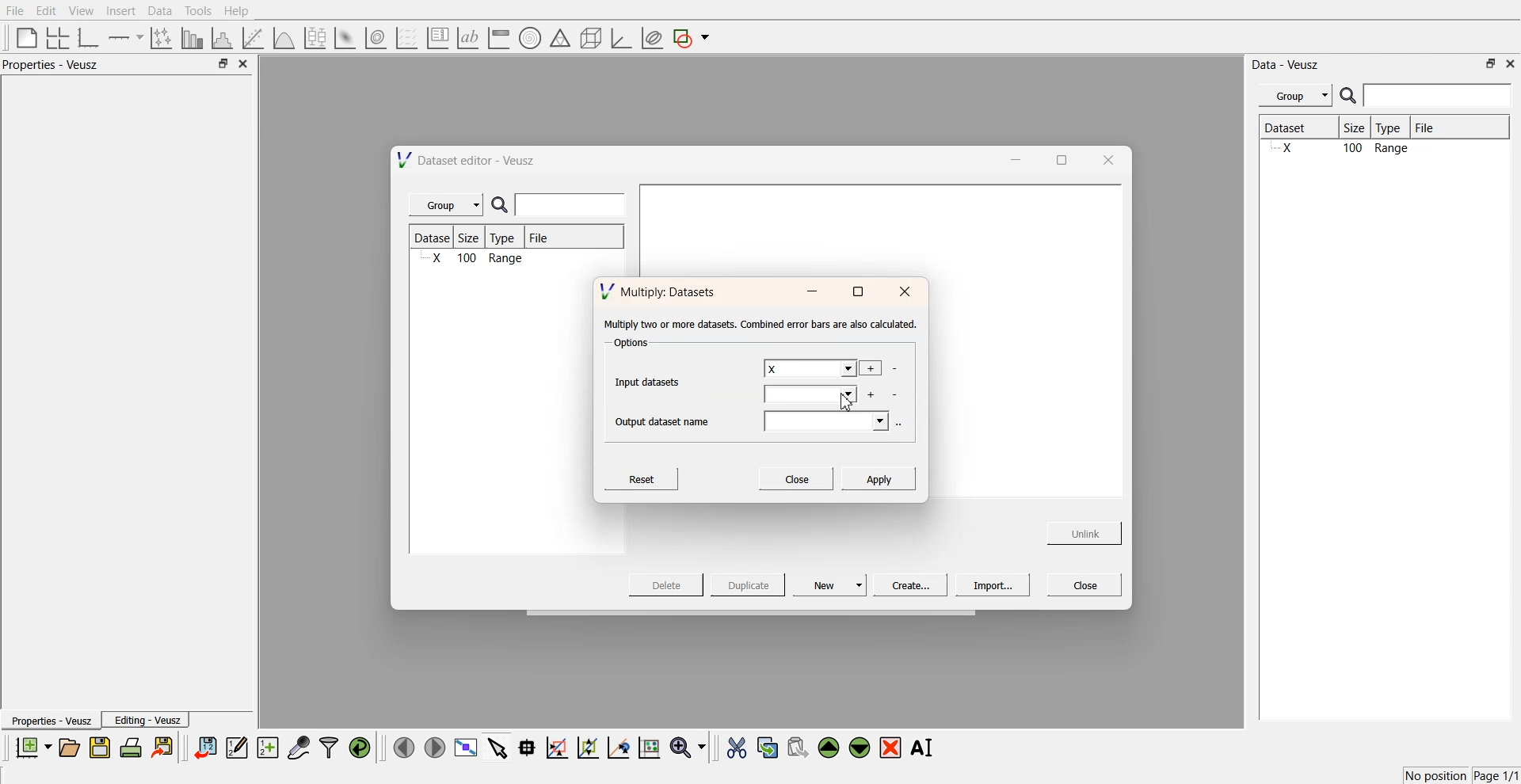  I want to click on minimise, so click(811, 292).